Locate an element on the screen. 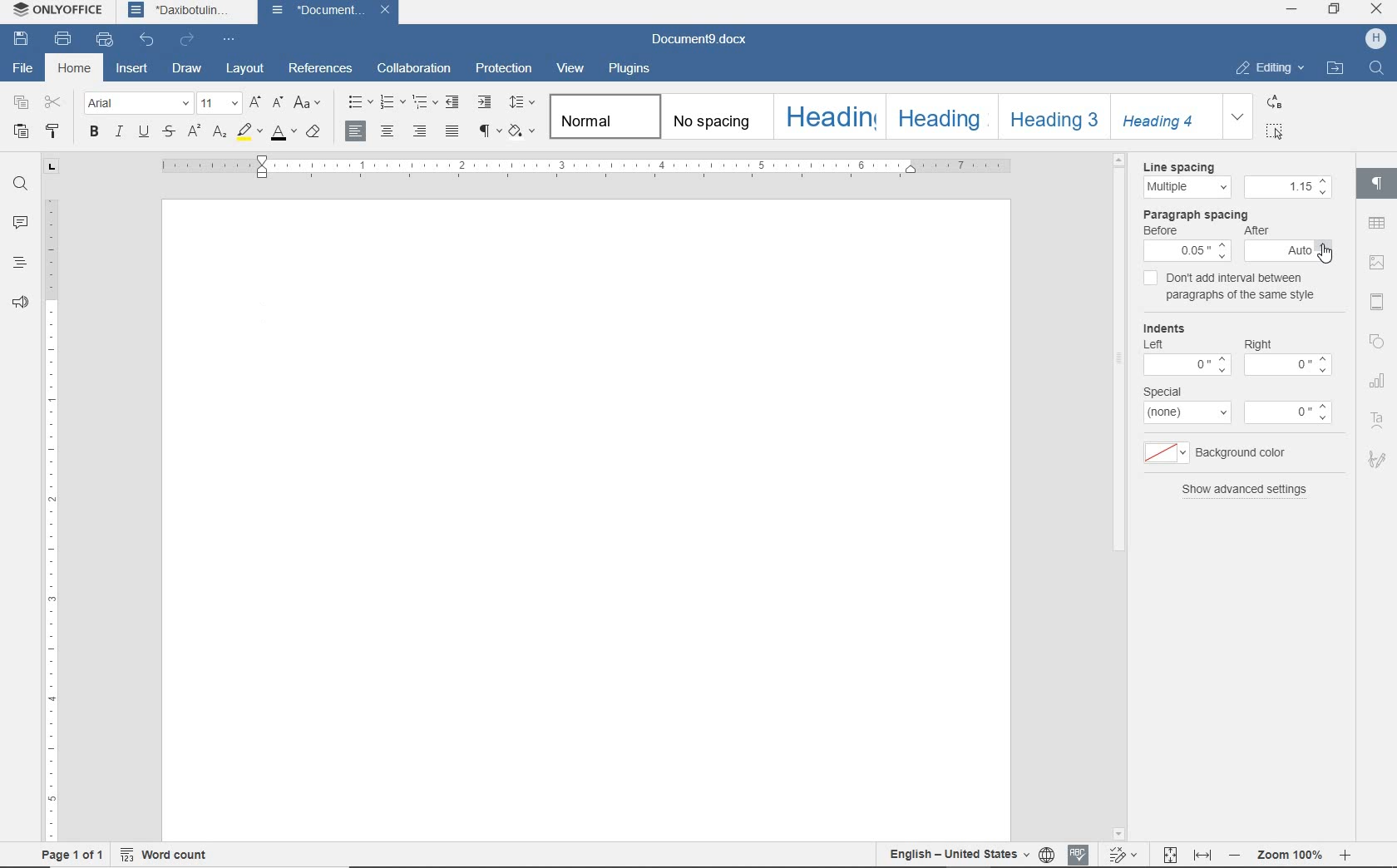 Image resolution: width=1397 pixels, height=868 pixels. decrement font size is located at coordinates (279, 103).